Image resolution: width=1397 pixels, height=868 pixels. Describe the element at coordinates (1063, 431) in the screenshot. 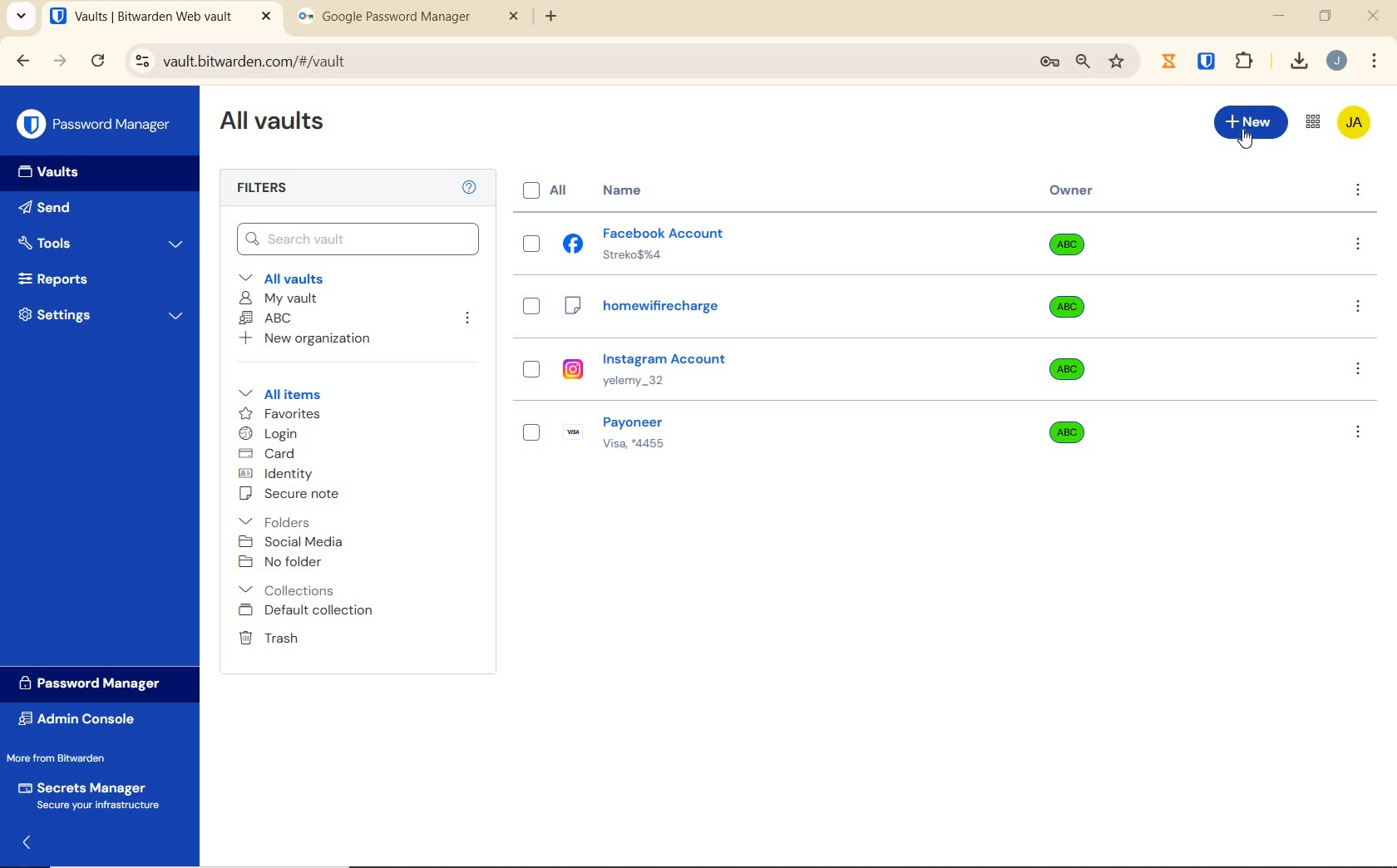

I see `Owner organization` at that location.